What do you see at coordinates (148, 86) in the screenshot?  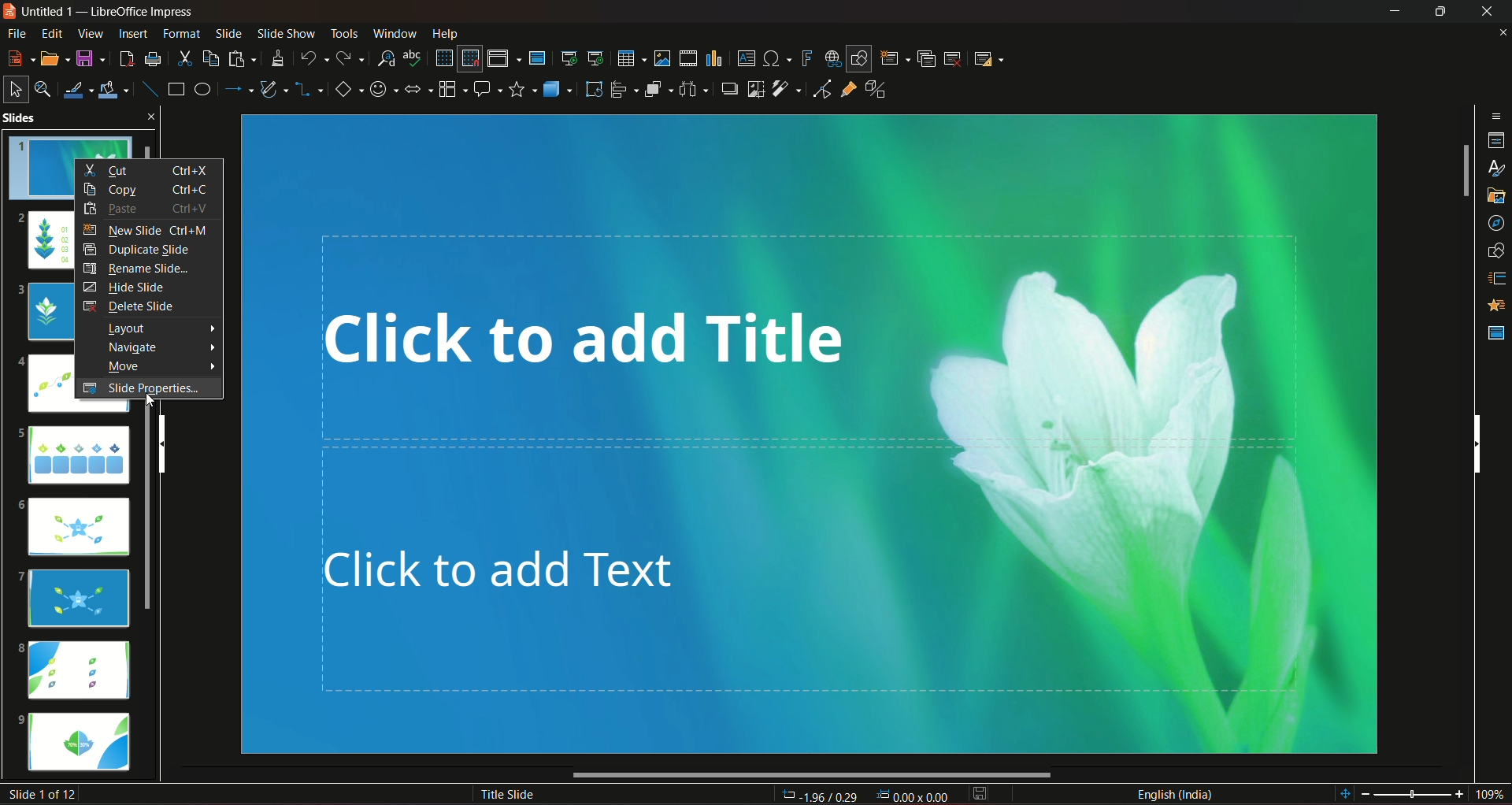 I see `insert line` at bounding box center [148, 86].